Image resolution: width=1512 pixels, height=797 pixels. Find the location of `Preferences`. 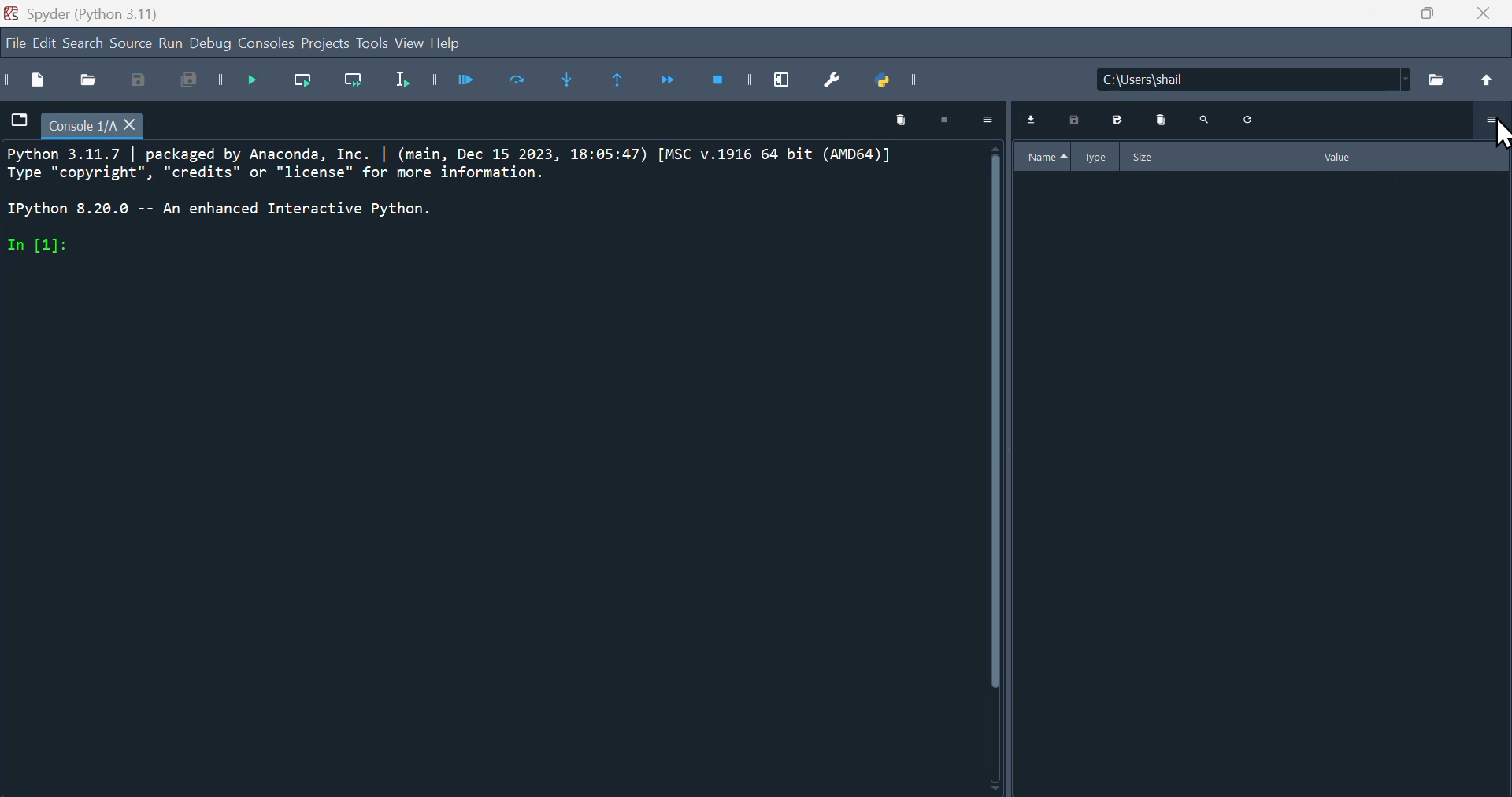

Preferences is located at coordinates (840, 82).